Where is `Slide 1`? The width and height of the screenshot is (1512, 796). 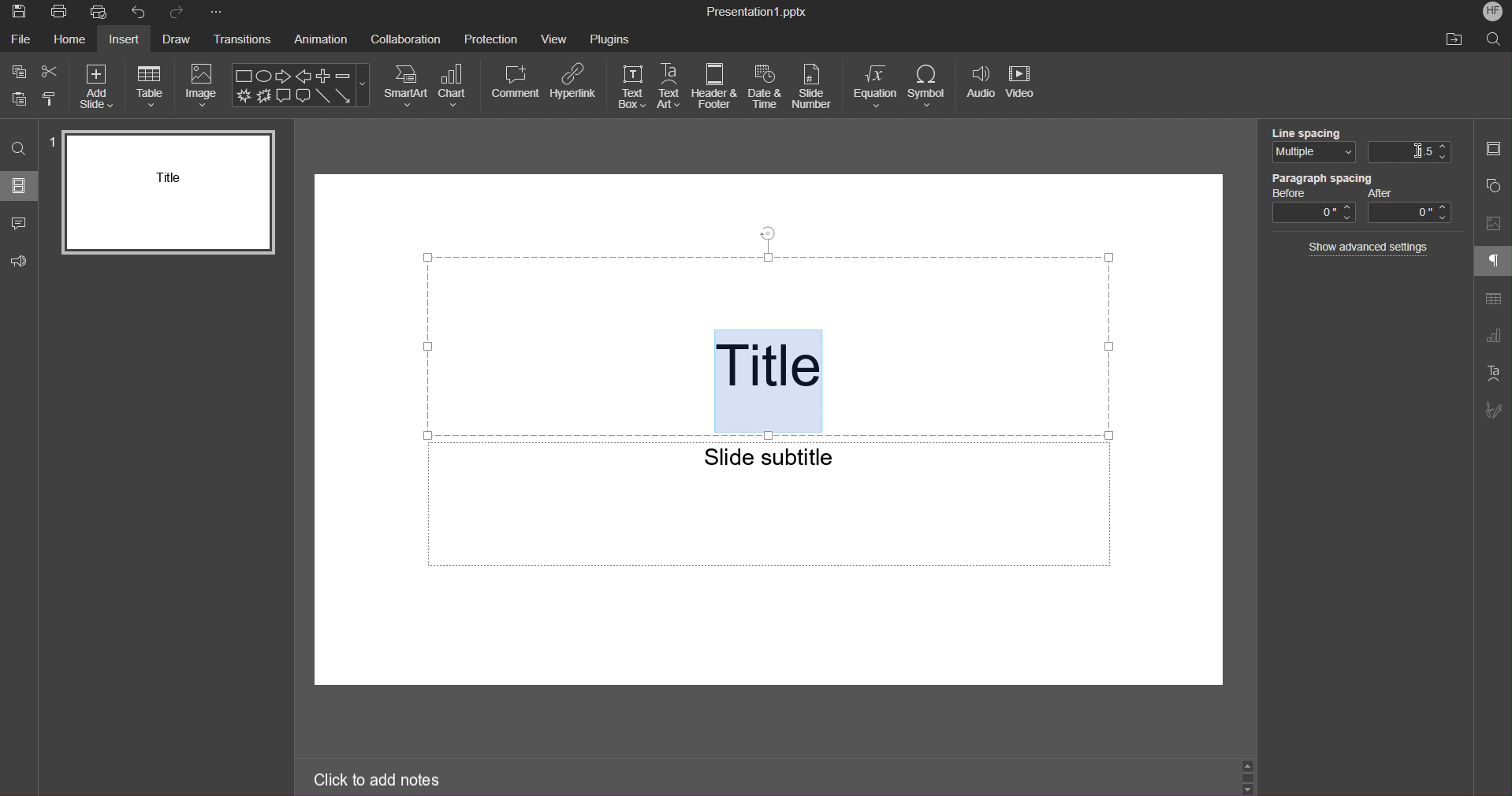 Slide 1 is located at coordinates (169, 192).